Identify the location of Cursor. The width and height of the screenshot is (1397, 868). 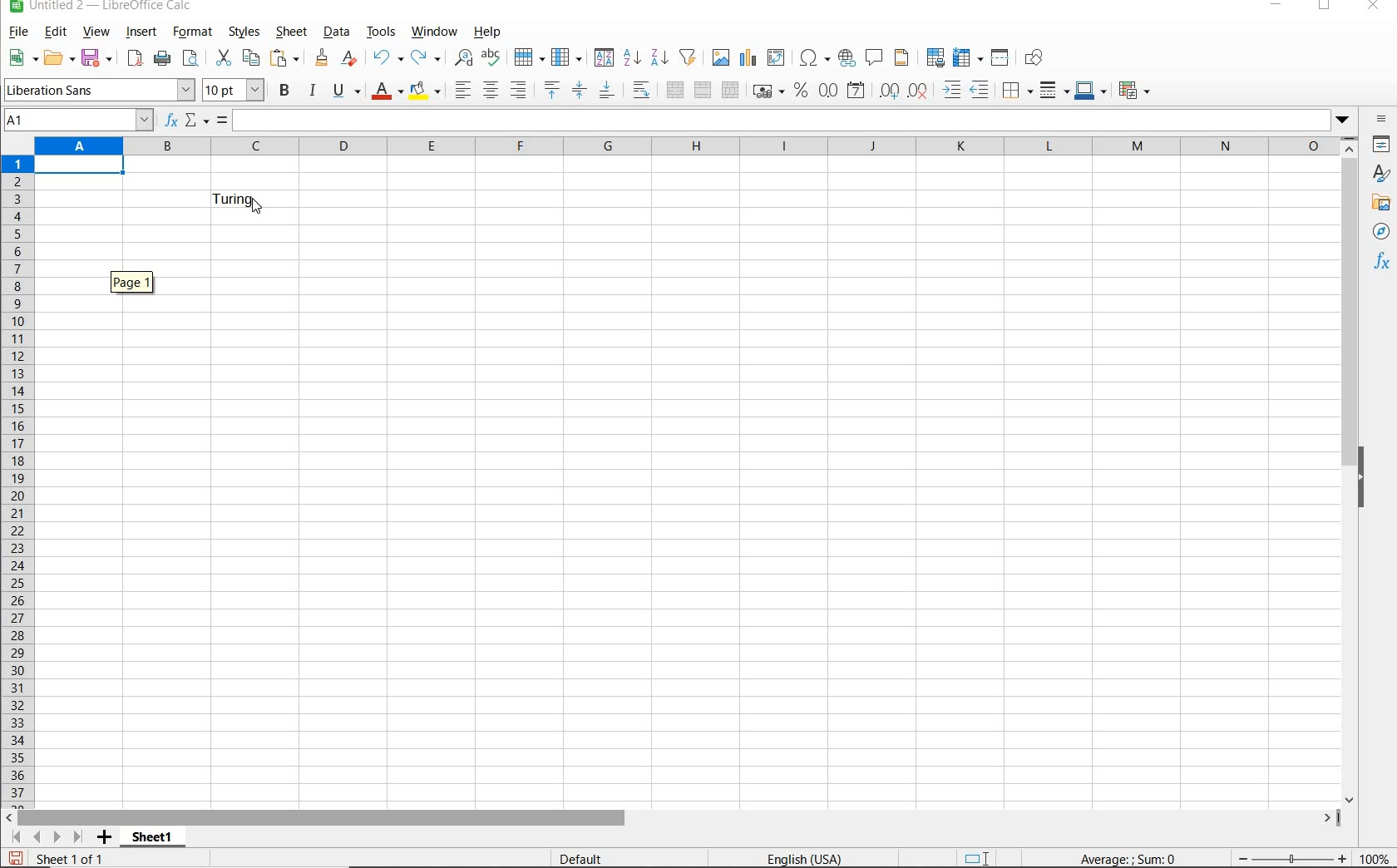
(256, 208).